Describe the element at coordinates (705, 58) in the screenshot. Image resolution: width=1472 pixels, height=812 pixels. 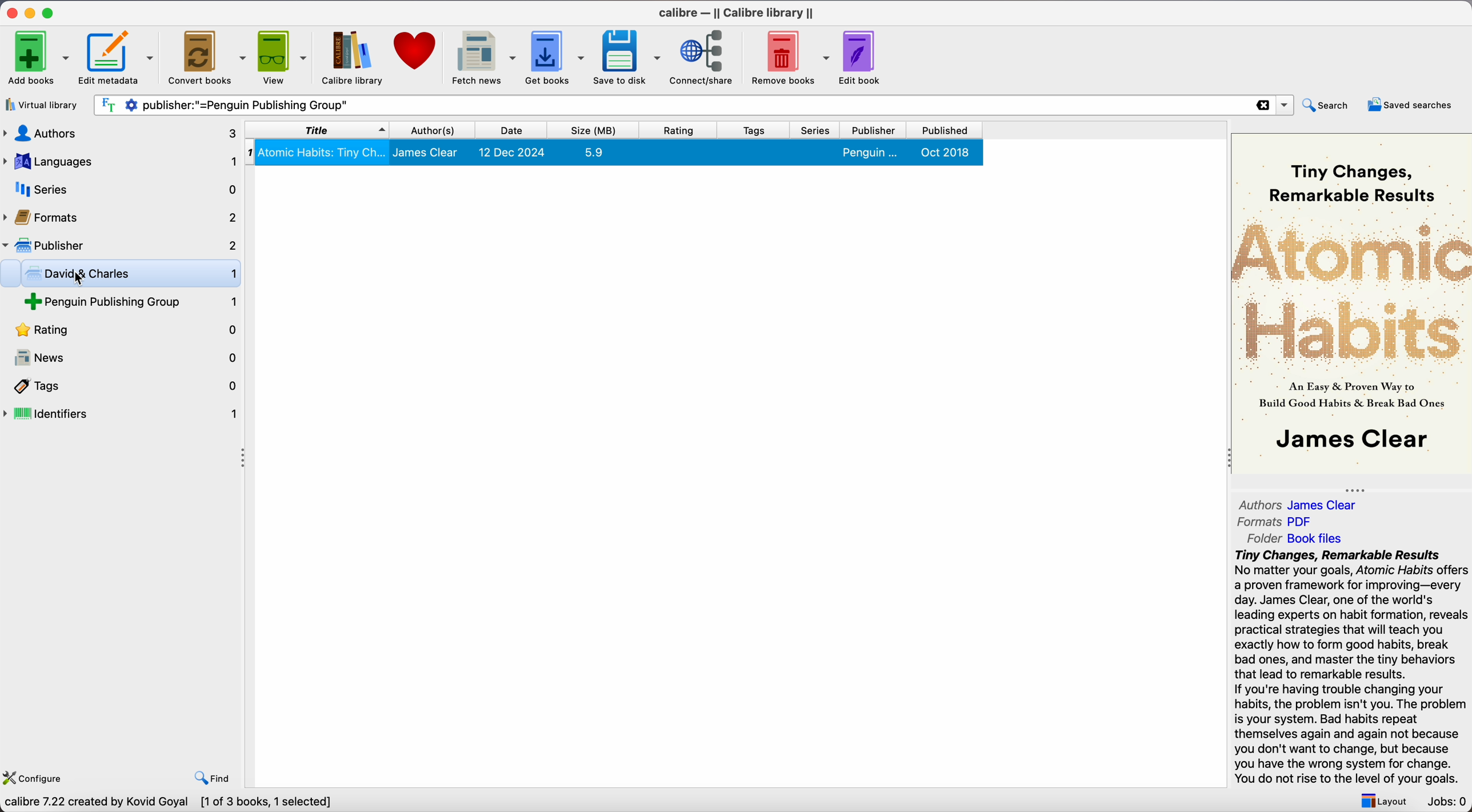
I see `connect/share` at that location.